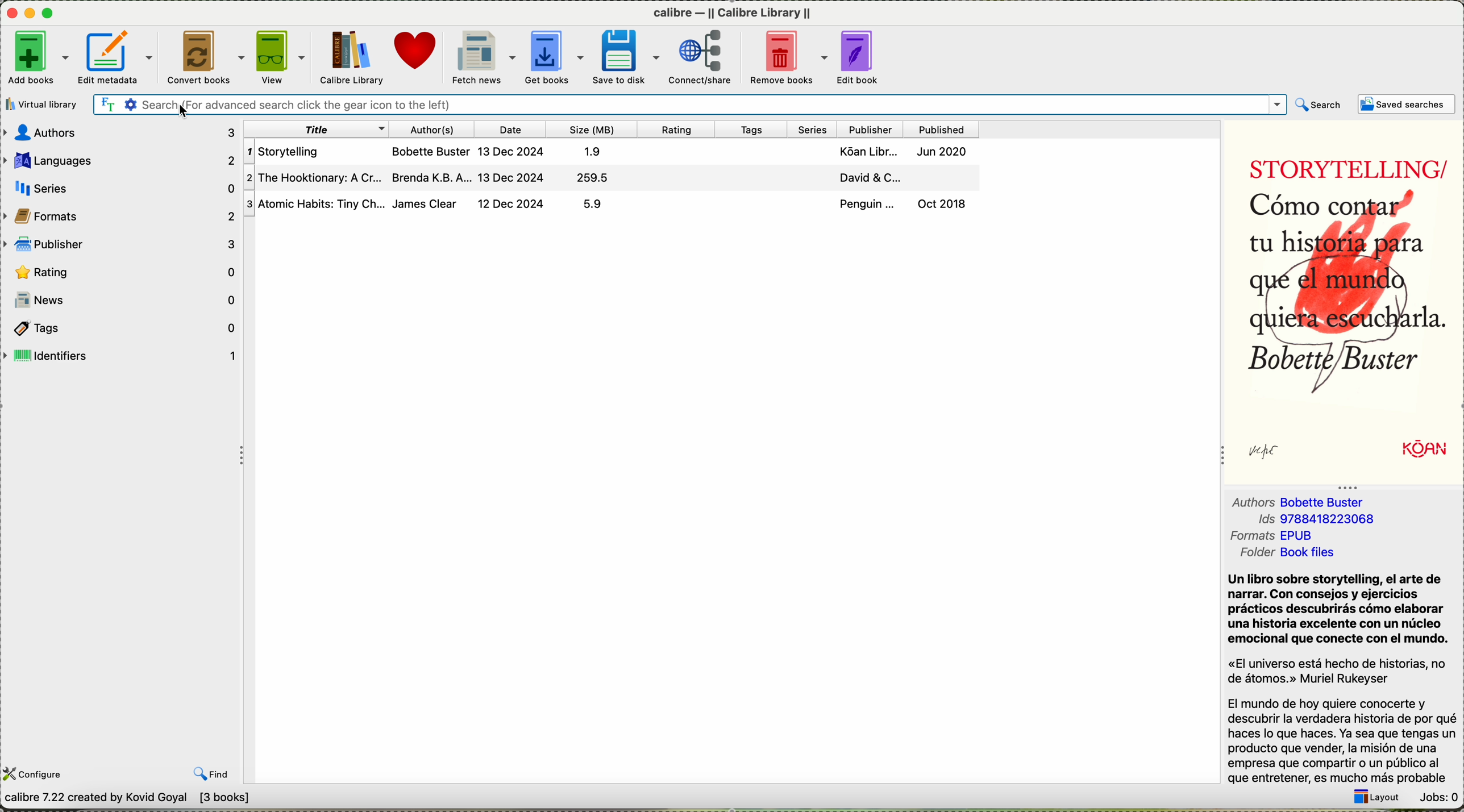 Image resolution: width=1464 pixels, height=812 pixels. I want to click on layout, so click(1377, 798).